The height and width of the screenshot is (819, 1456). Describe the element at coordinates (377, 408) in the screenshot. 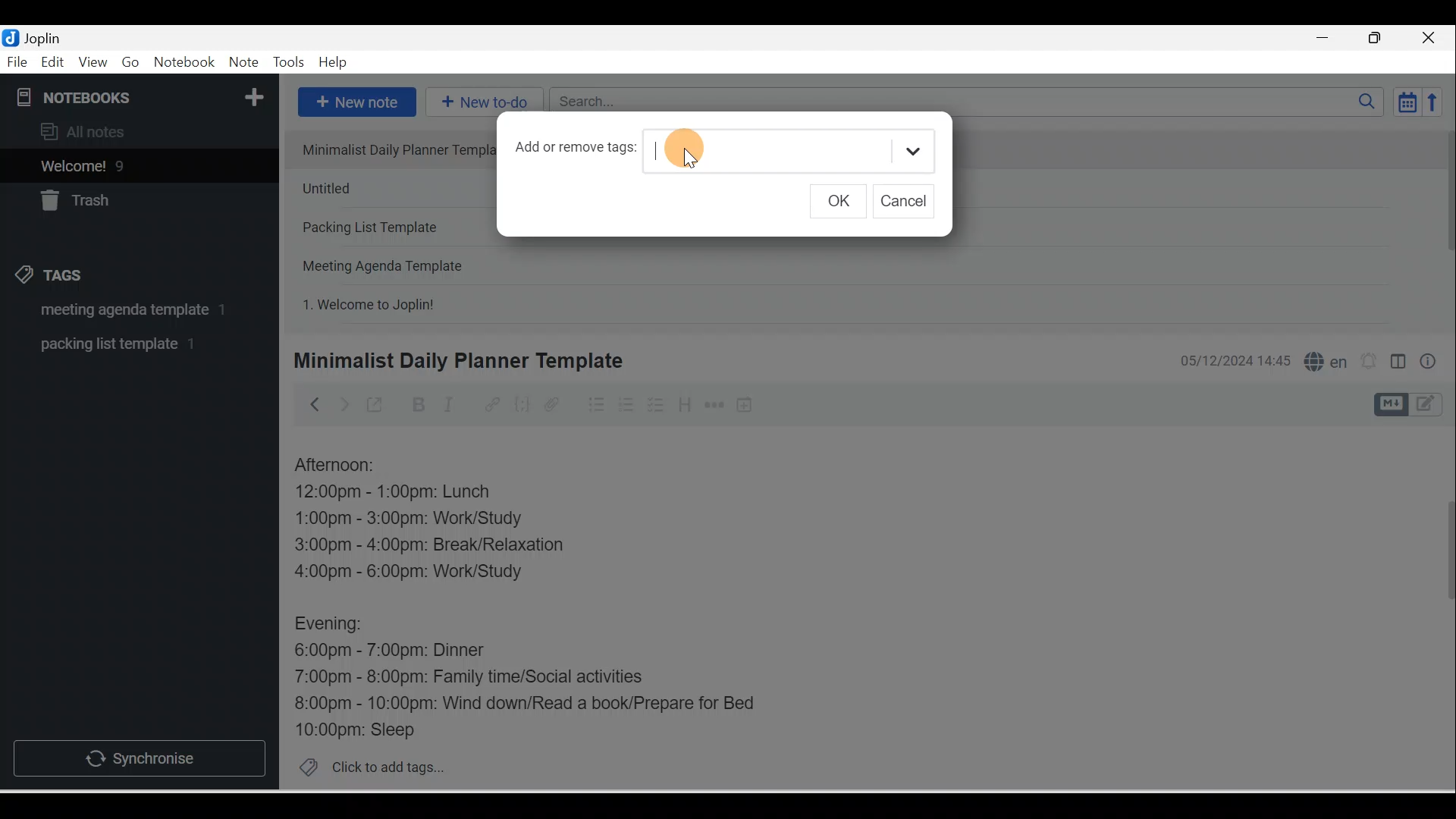

I see `Toggle external editing` at that location.